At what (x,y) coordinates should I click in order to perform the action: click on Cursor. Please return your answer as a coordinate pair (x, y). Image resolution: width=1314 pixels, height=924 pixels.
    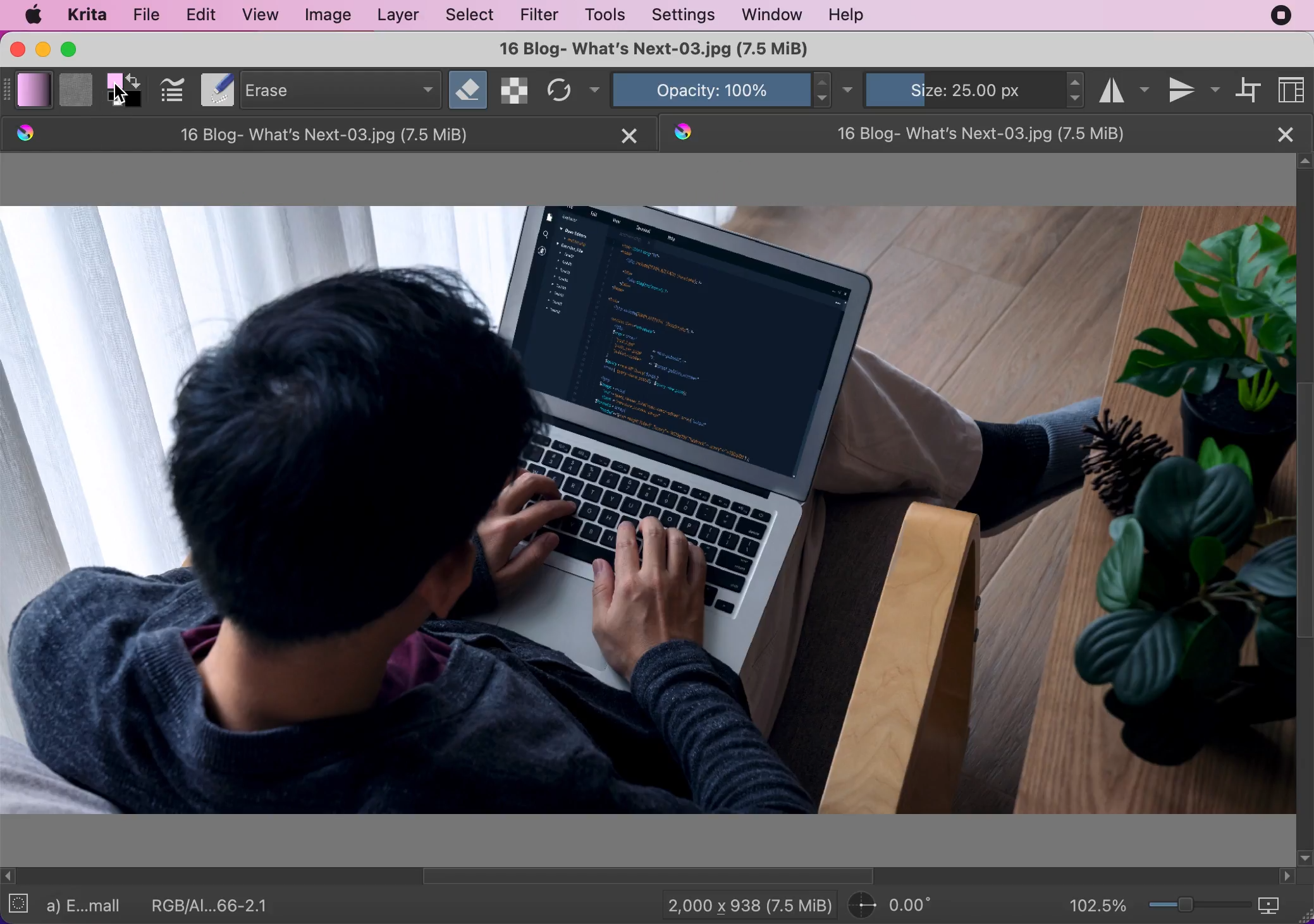
    Looking at the image, I should click on (121, 93).